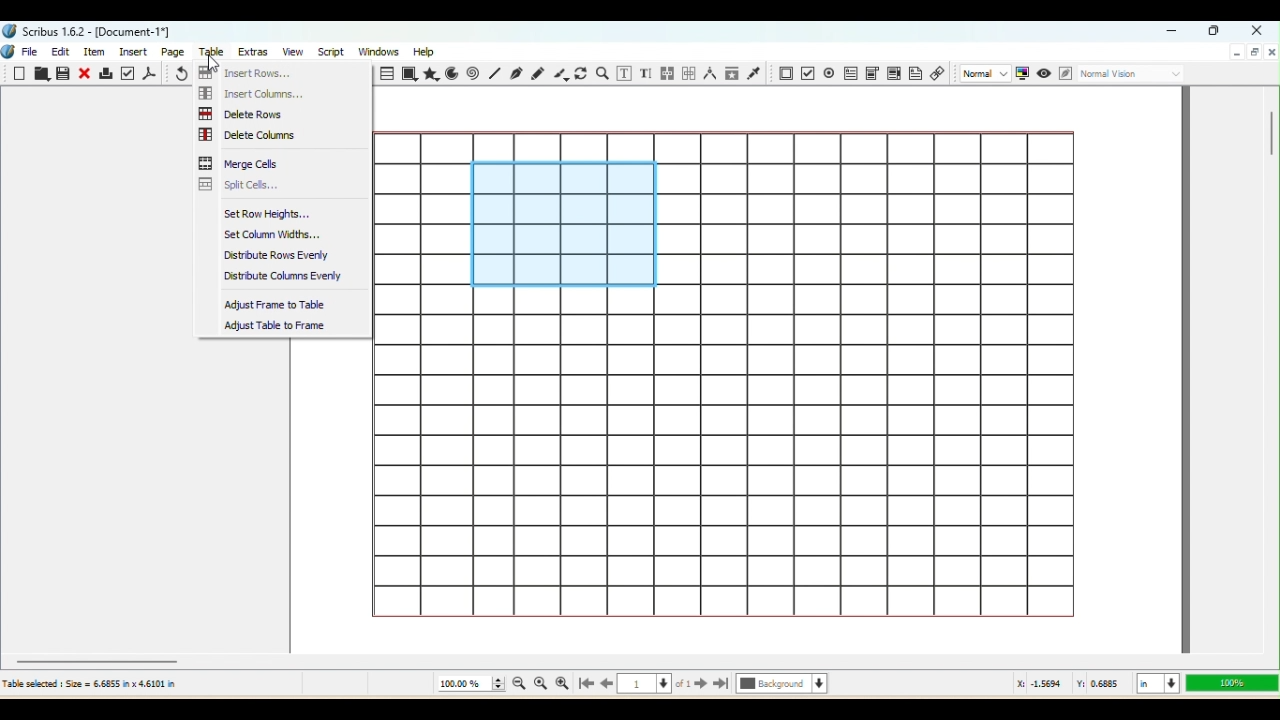  I want to click on Preflight verifier, so click(129, 73).